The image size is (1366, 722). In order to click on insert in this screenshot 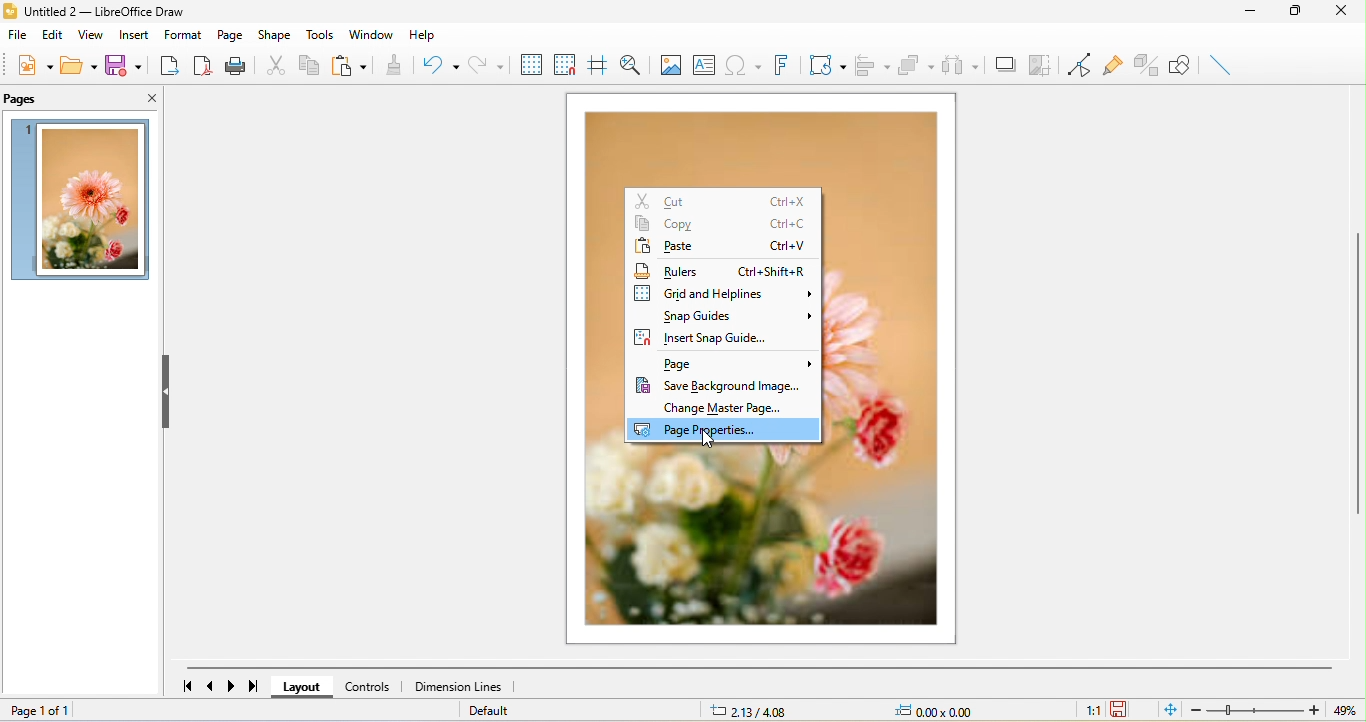, I will do `click(138, 33)`.